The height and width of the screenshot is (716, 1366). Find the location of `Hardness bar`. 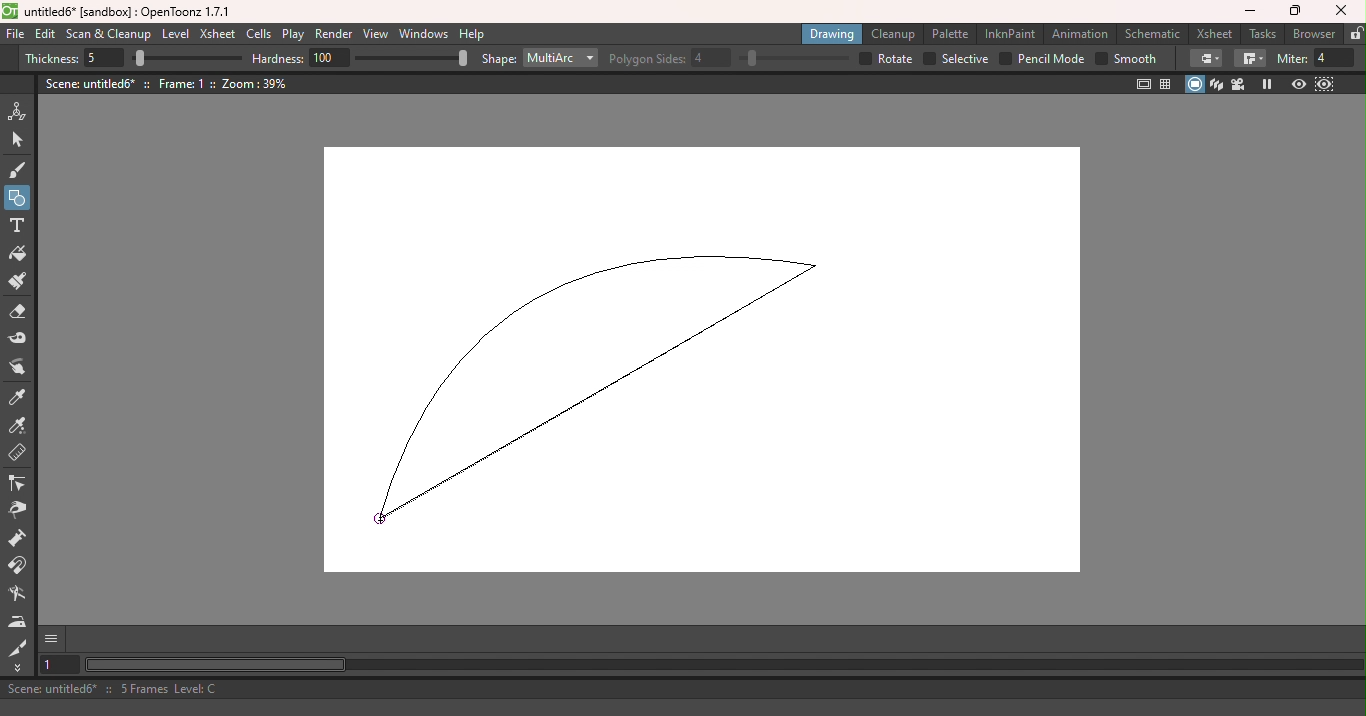

Hardness bar is located at coordinates (412, 58).